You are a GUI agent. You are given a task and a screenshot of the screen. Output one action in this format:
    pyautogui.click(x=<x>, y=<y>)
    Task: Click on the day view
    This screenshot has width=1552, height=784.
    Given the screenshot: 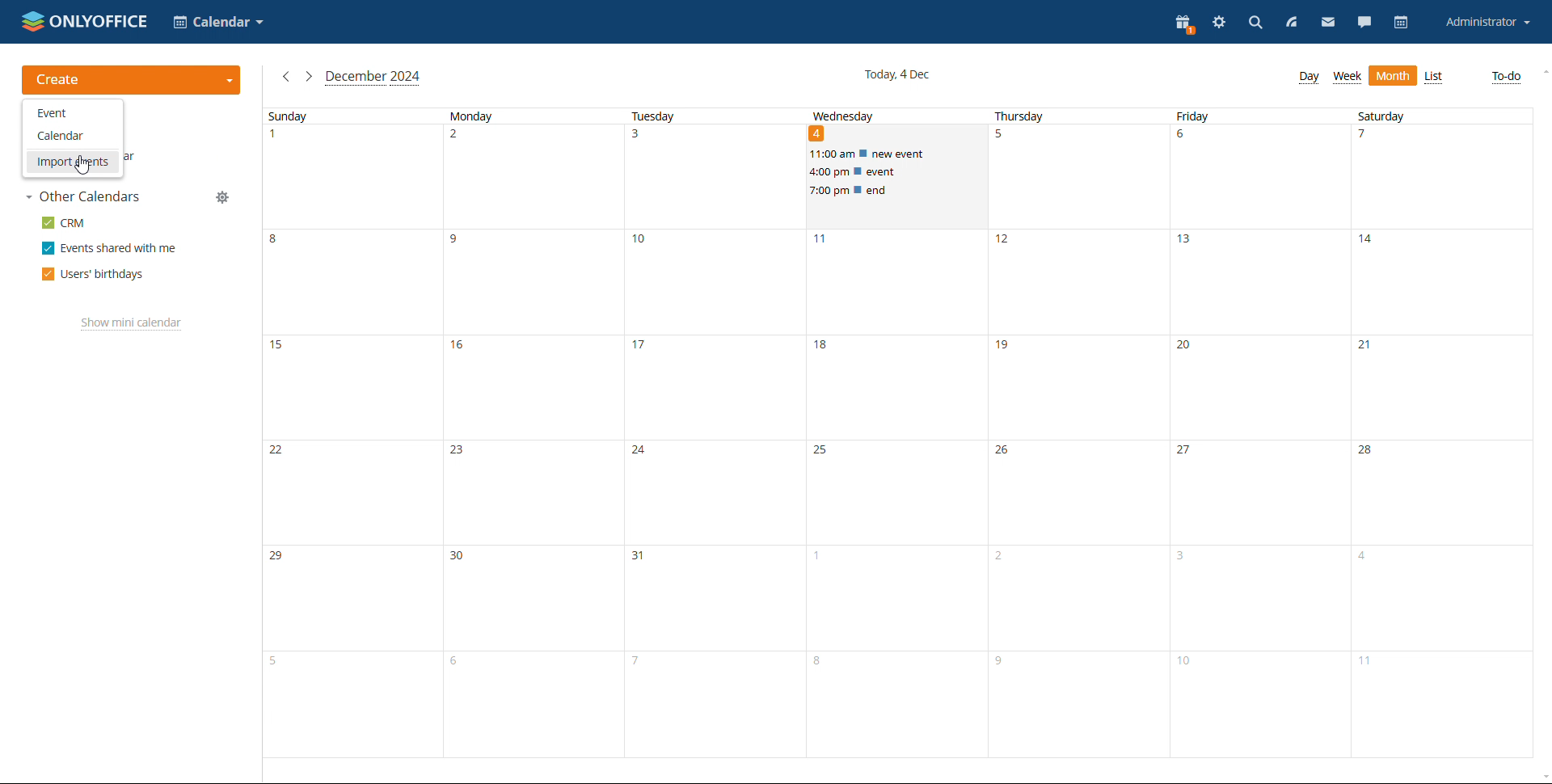 What is the action you would take?
    pyautogui.click(x=1309, y=78)
    